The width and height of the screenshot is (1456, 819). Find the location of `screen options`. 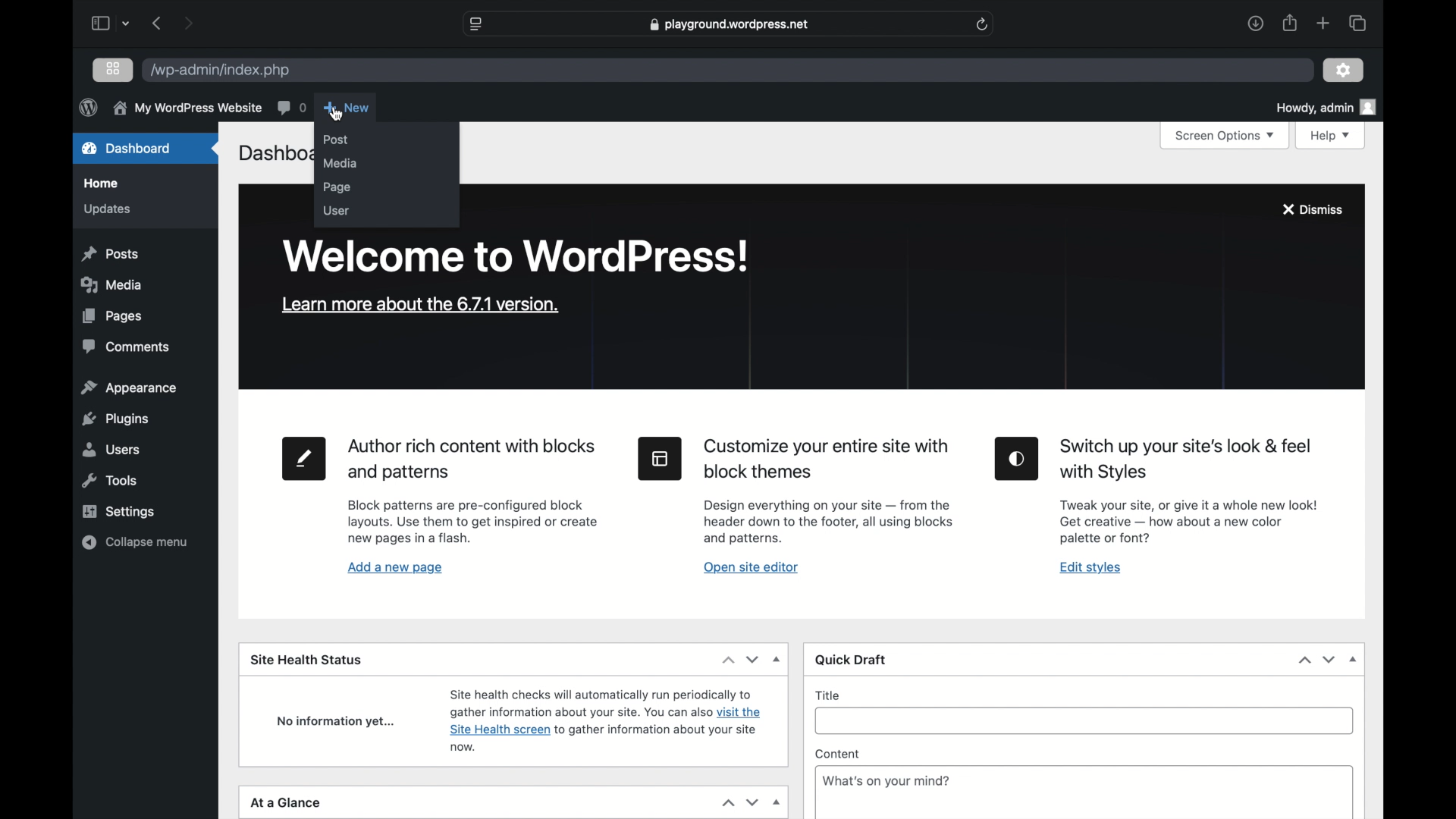

screen options is located at coordinates (1223, 136).